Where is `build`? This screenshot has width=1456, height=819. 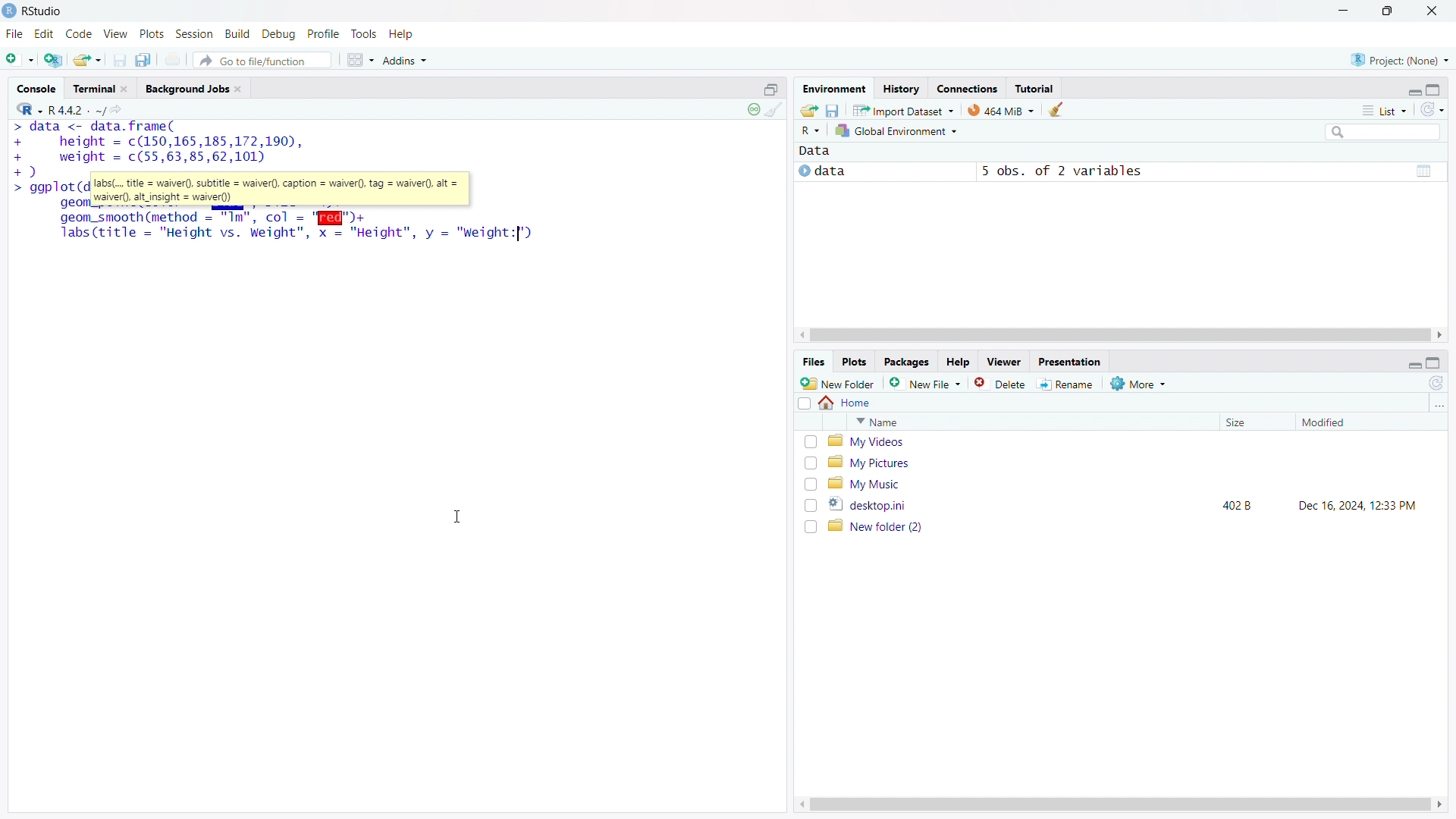 build is located at coordinates (239, 33).